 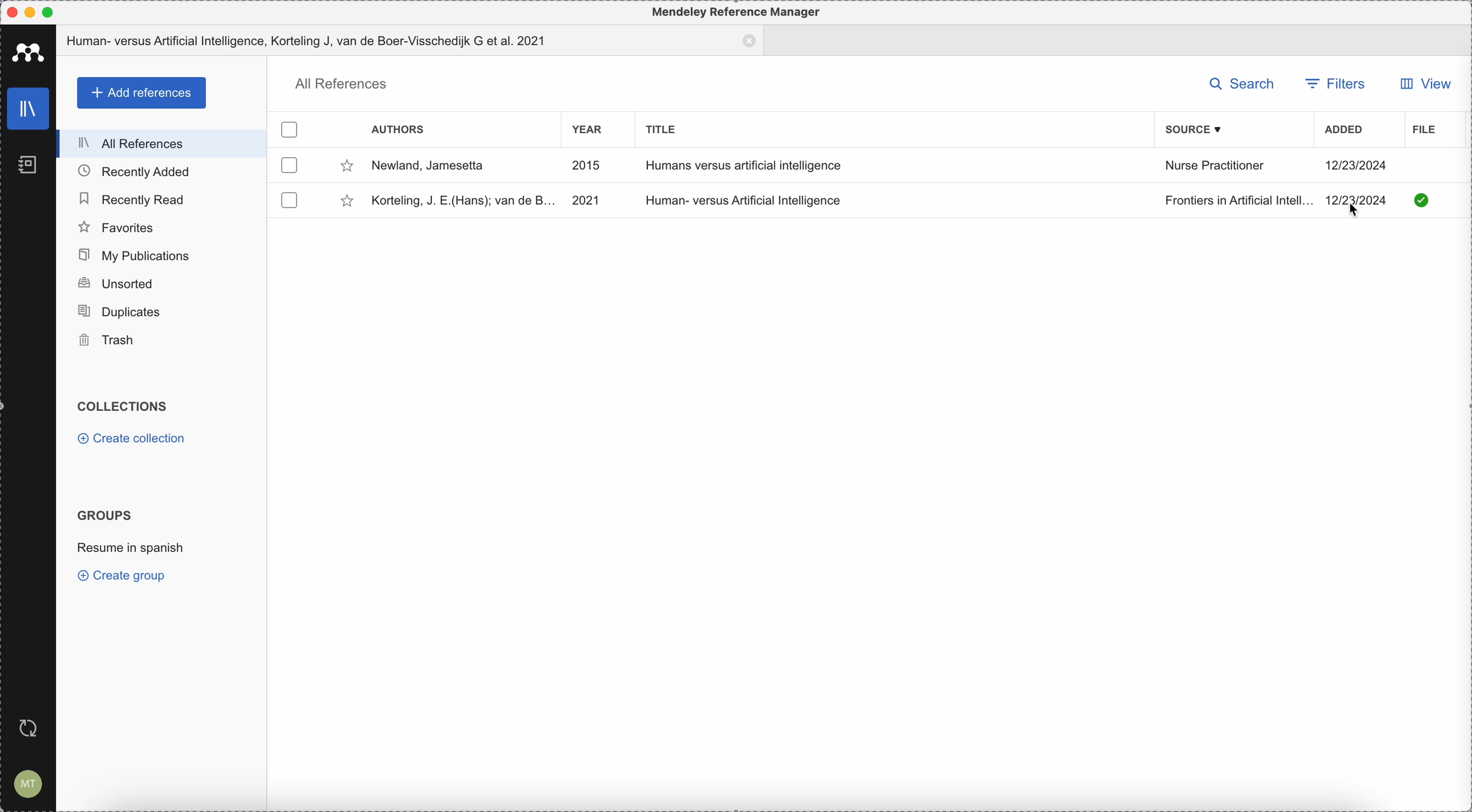 I want to click on downloaded document, so click(x=1419, y=202).